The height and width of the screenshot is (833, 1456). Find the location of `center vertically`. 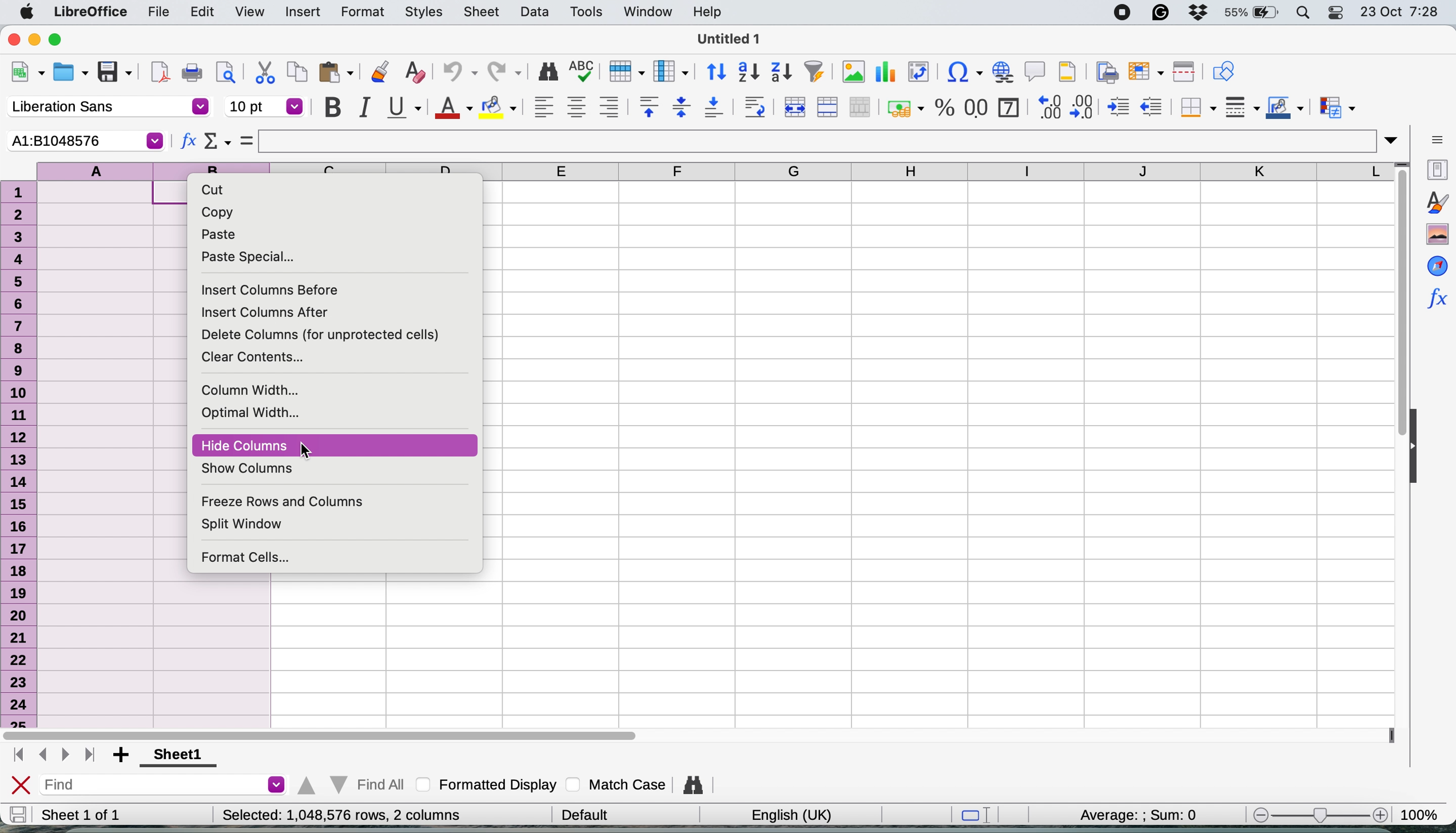

center vertically is located at coordinates (681, 108).